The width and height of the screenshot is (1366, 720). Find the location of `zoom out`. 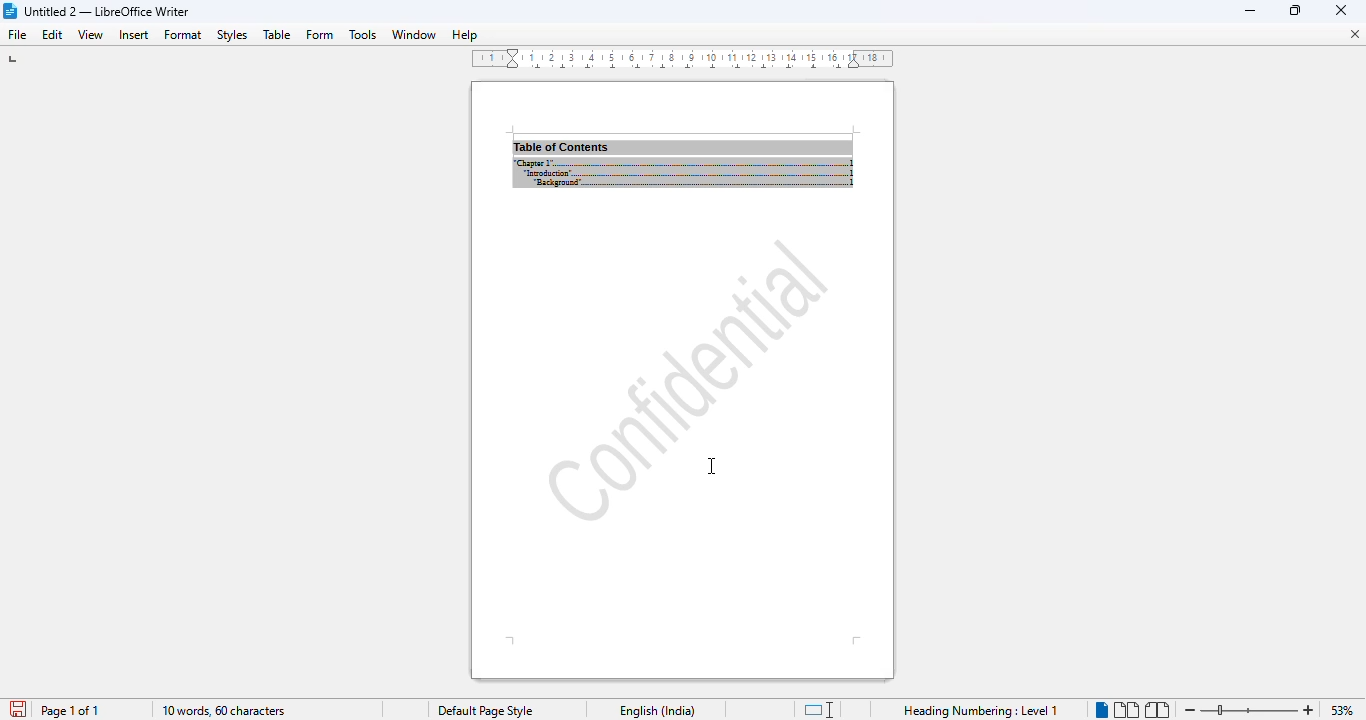

zoom out is located at coordinates (1190, 709).